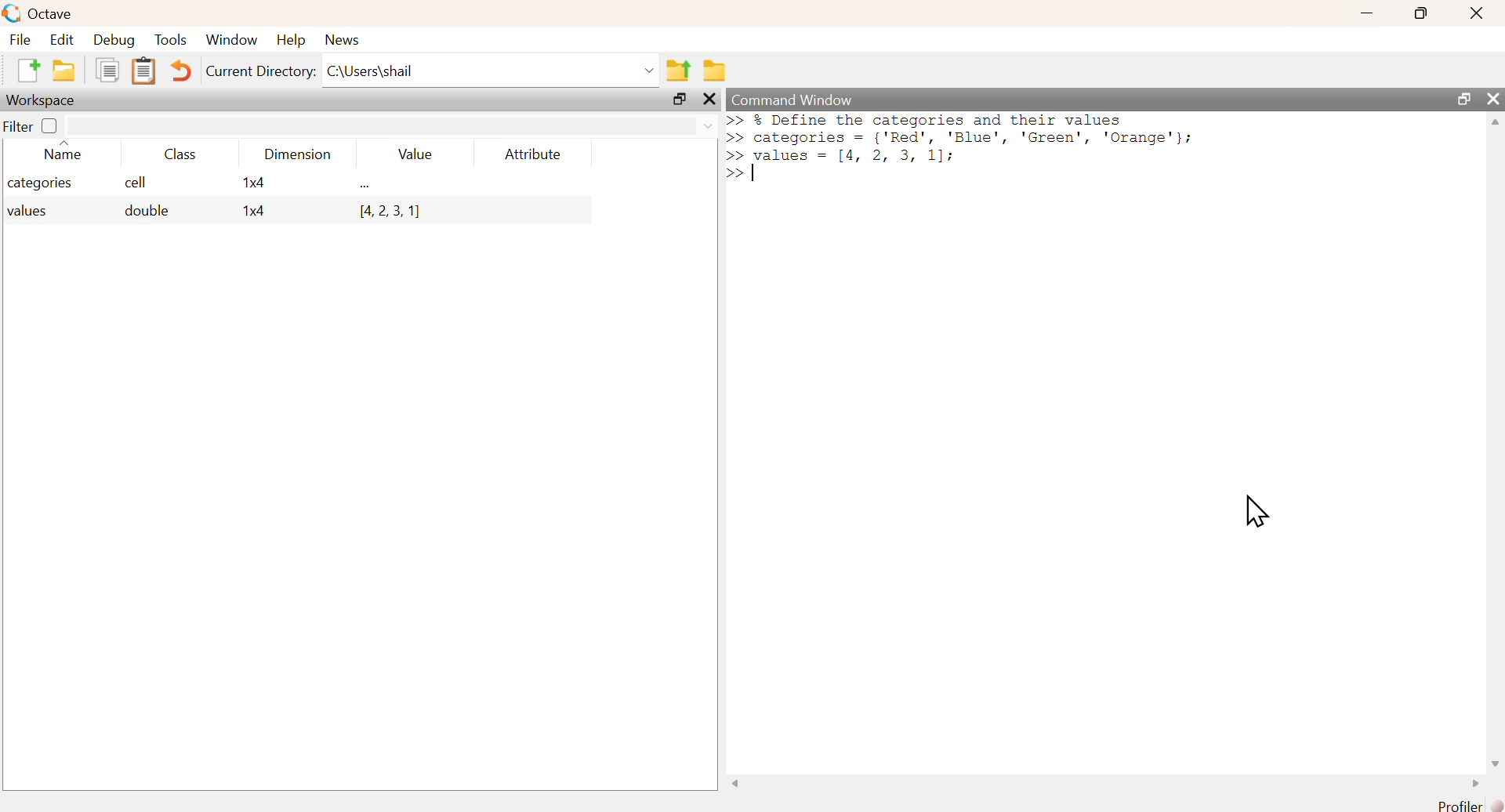  I want to click on dropdown, so click(648, 71).